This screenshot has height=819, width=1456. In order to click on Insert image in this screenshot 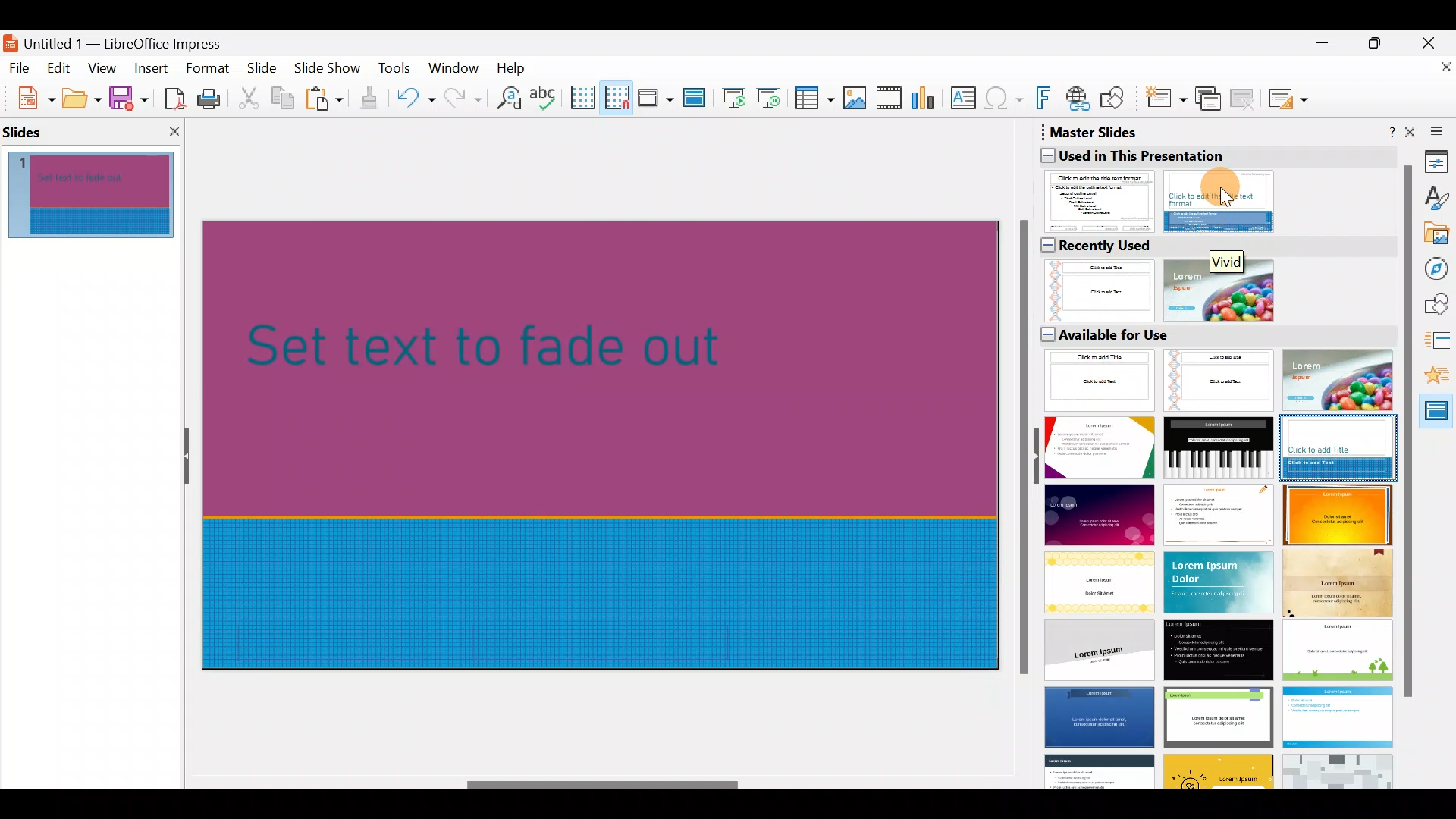, I will do `click(858, 99)`.